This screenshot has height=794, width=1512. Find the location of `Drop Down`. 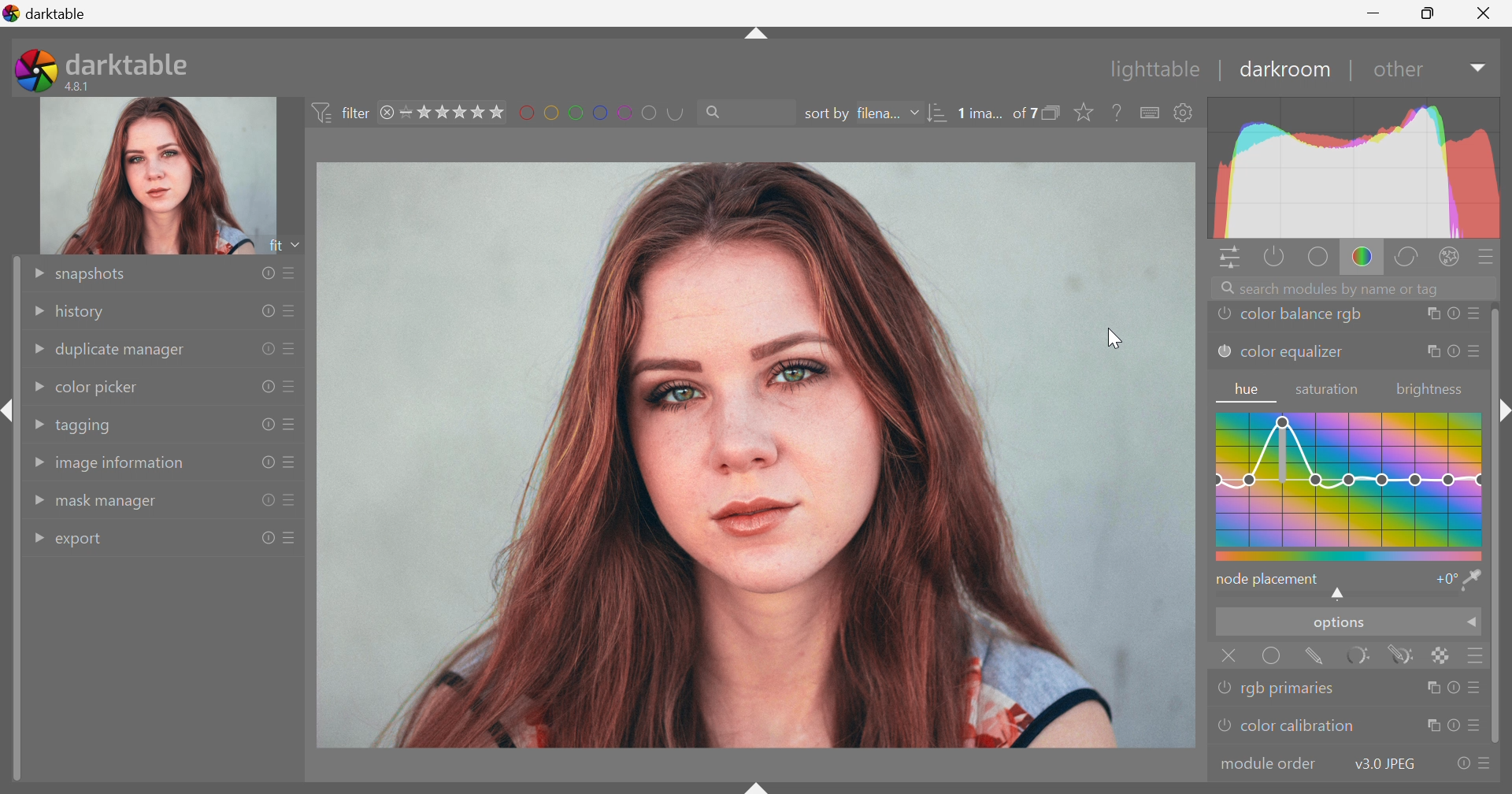

Drop Down is located at coordinates (36, 309).